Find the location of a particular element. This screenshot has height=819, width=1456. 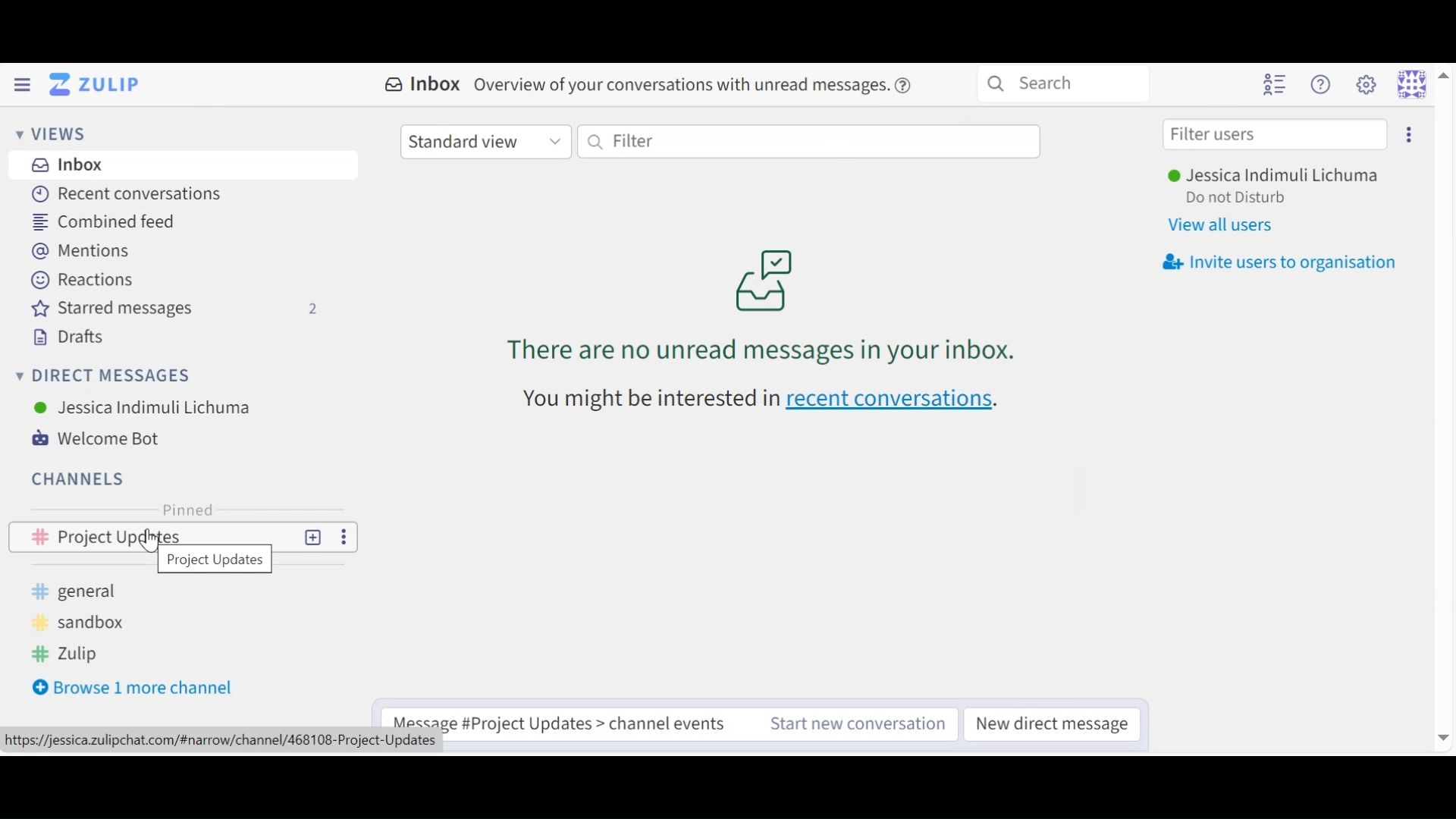

sandboz is located at coordinates (67, 622).